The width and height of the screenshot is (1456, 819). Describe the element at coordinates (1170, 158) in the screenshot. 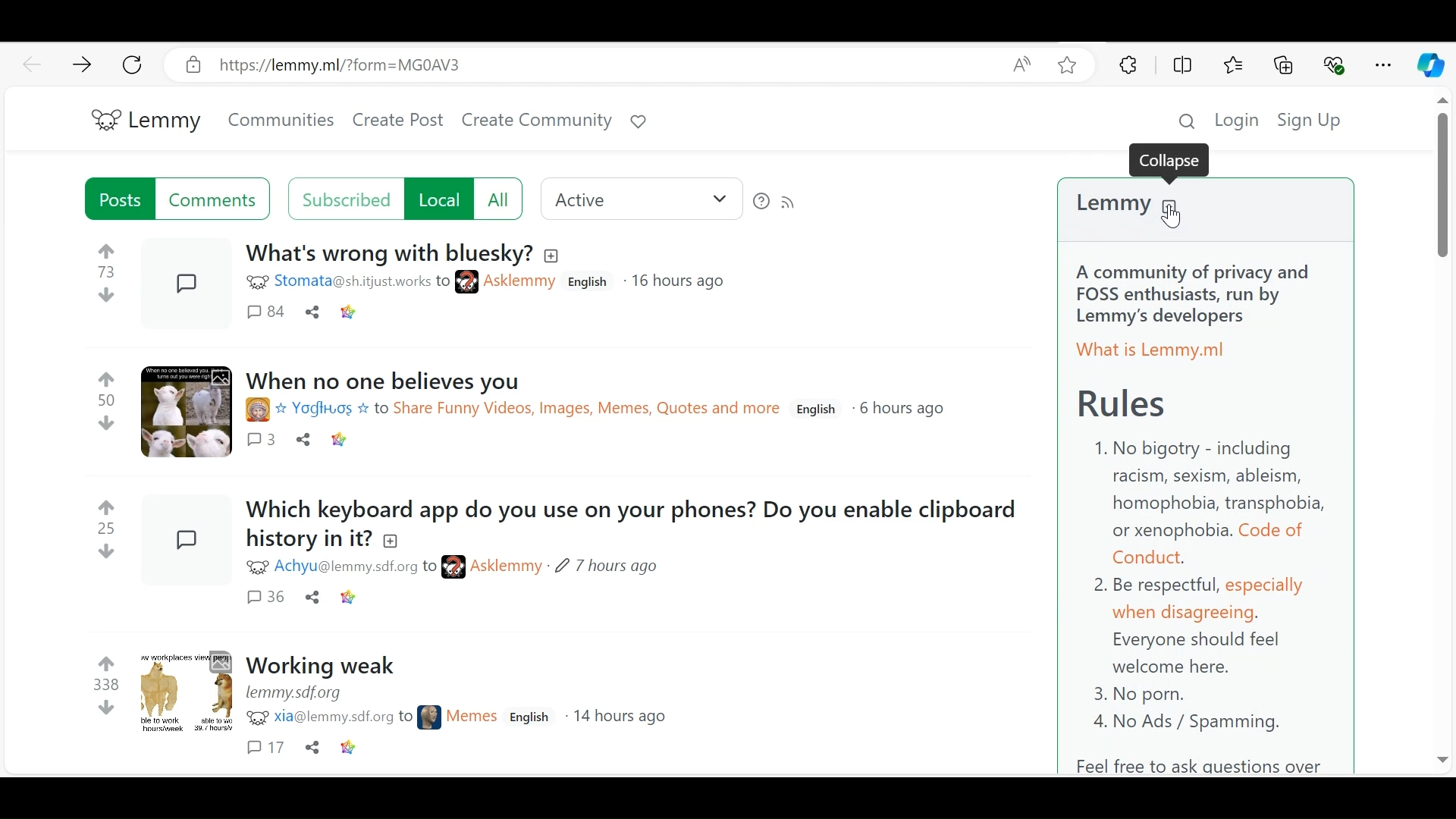

I see `Collapse dailogue box` at that location.